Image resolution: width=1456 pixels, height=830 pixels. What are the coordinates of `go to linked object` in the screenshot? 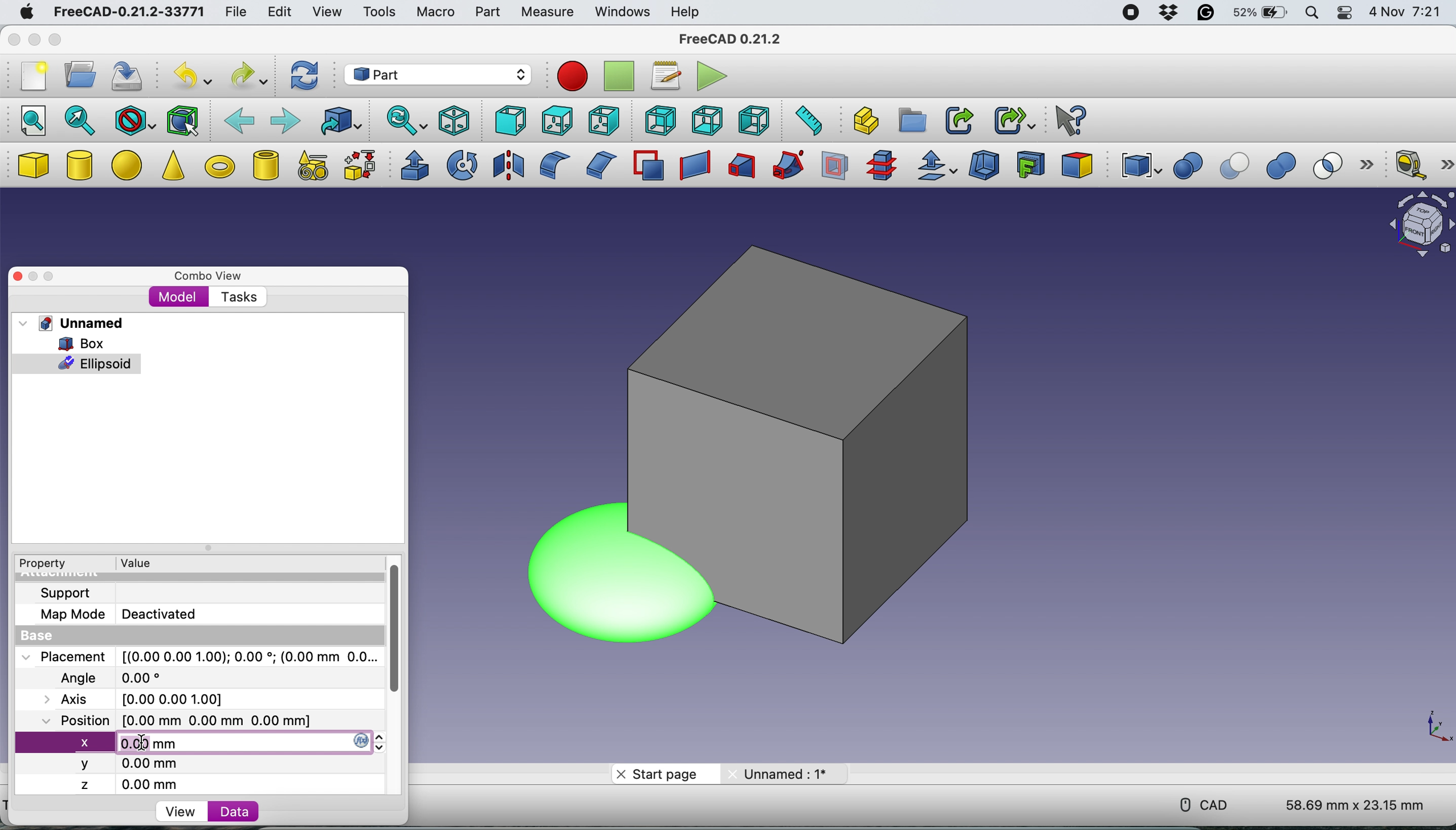 It's located at (340, 121).